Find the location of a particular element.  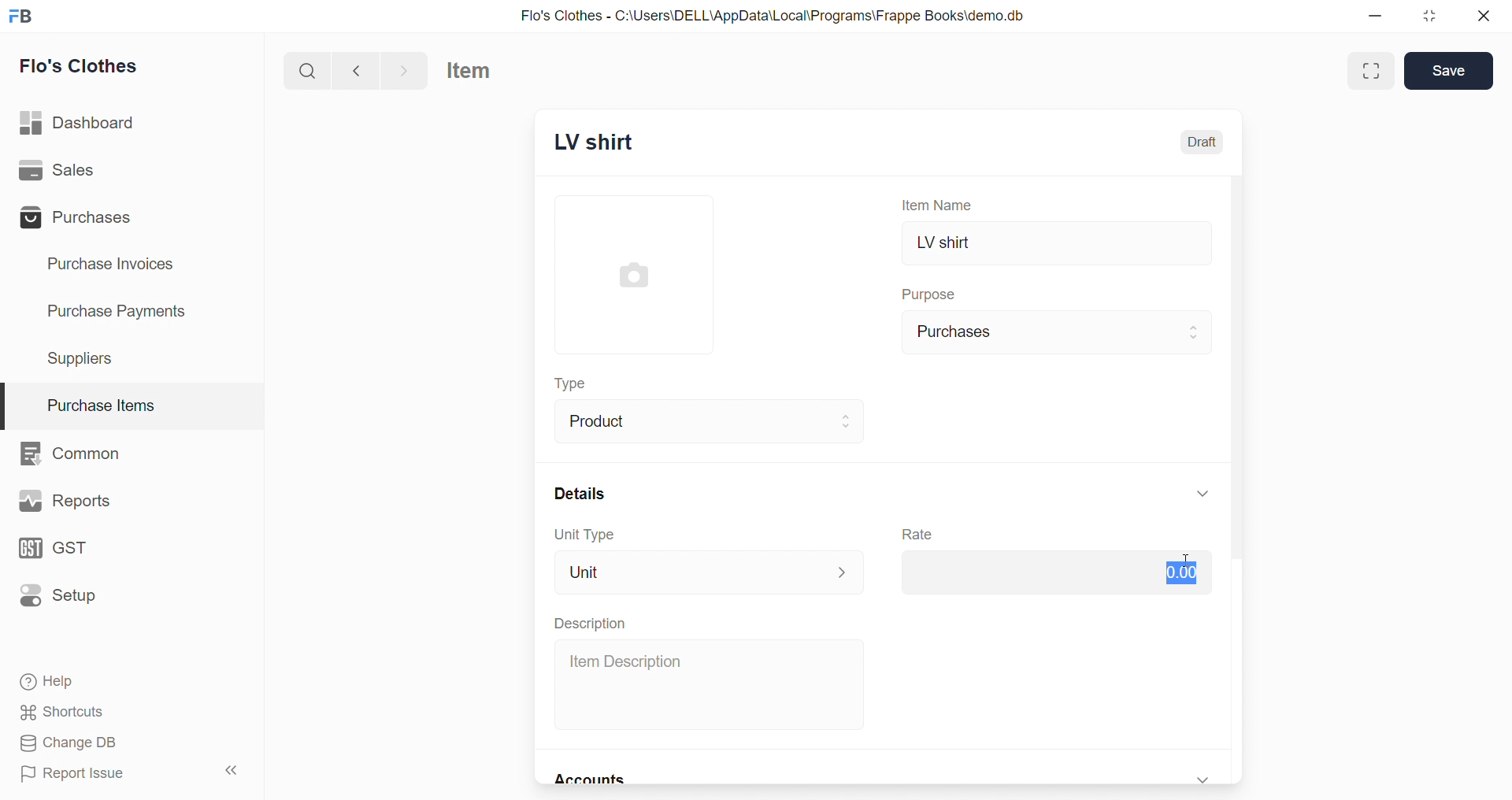

collapse sidebar is located at coordinates (238, 772).